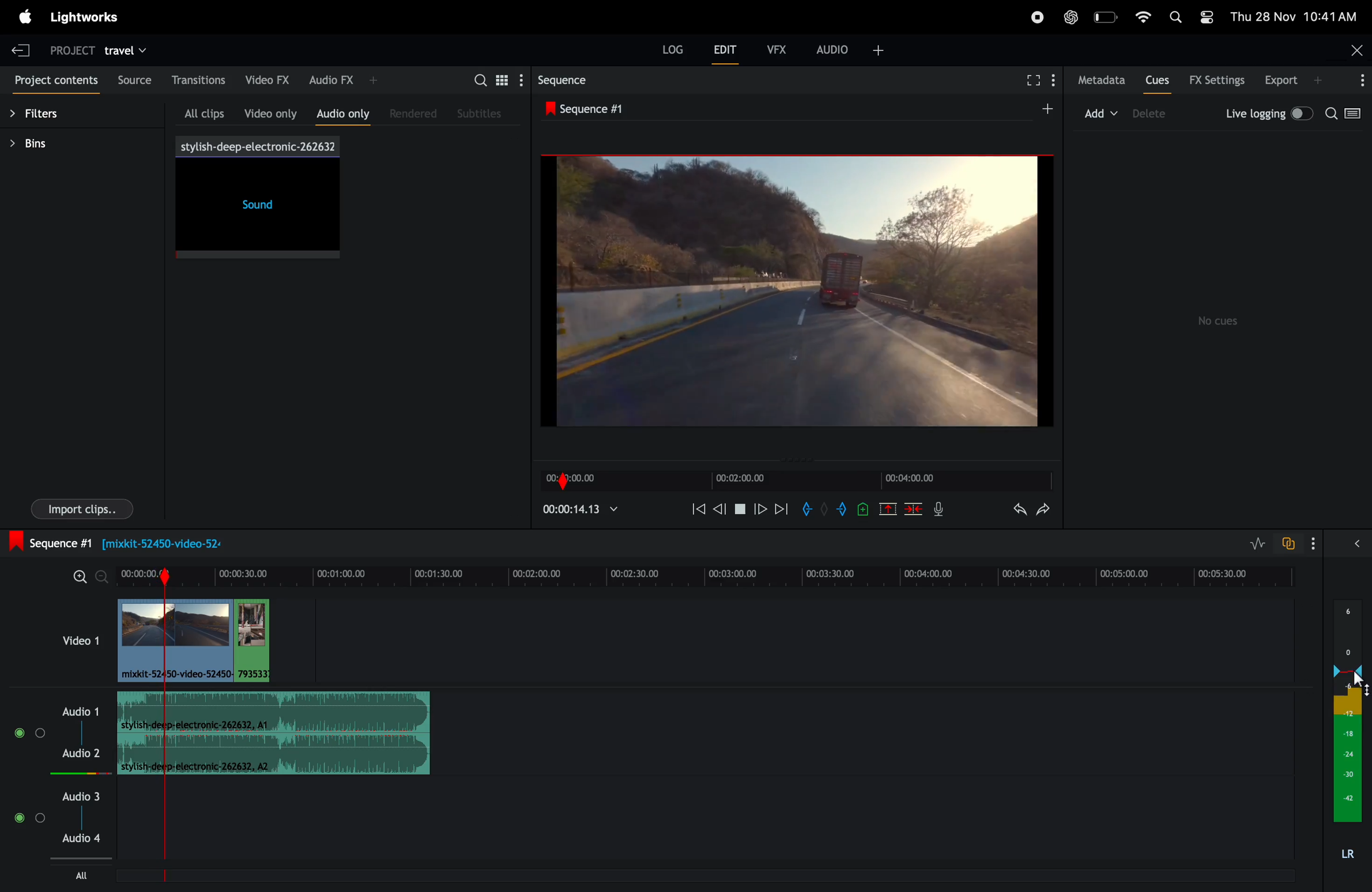 The image size is (1372, 892). Describe the element at coordinates (24, 733) in the screenshot. I see `Mute/Unmute track` at that location.